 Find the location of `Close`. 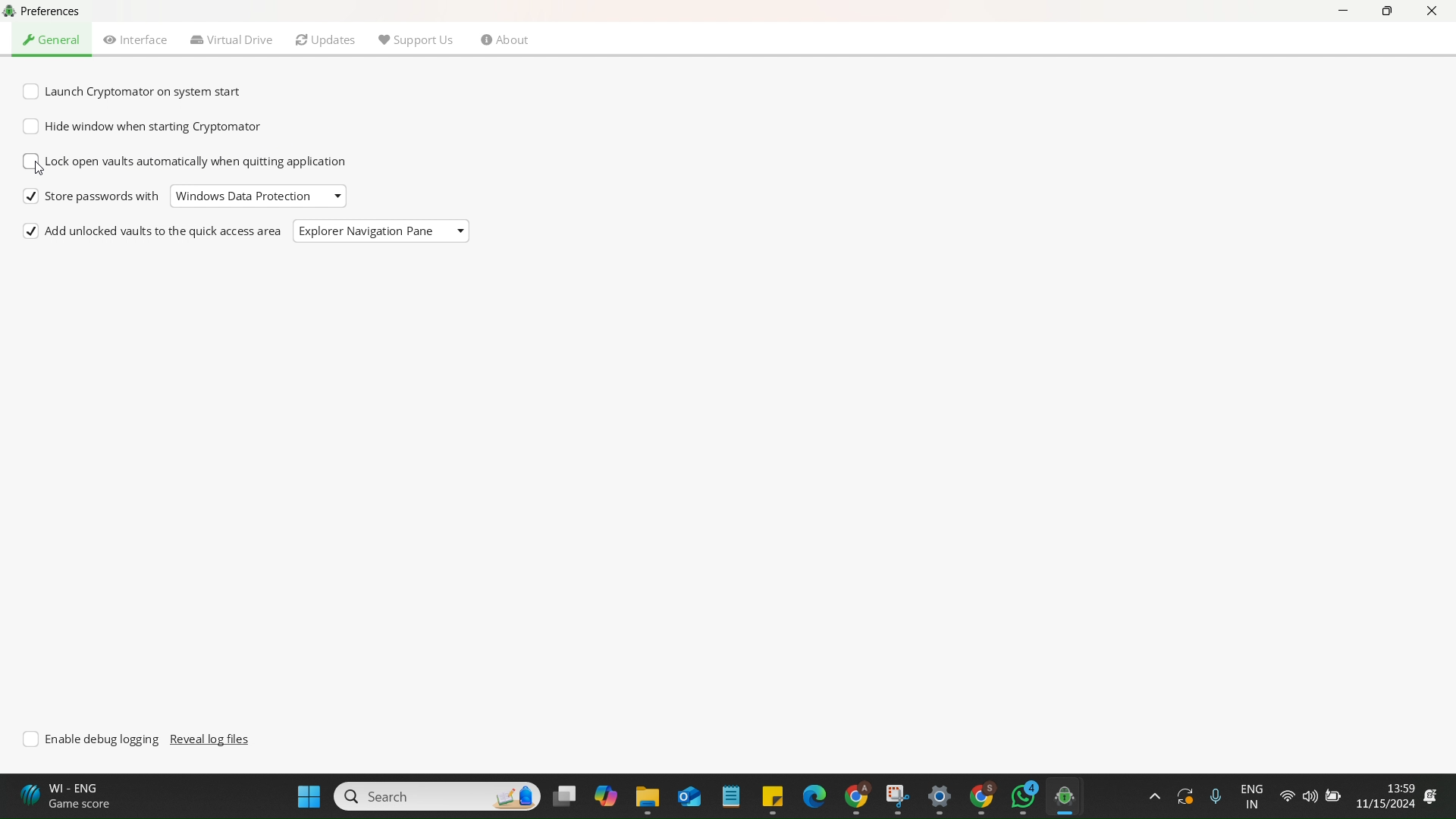

Close is located at coordinates (1432, 12).